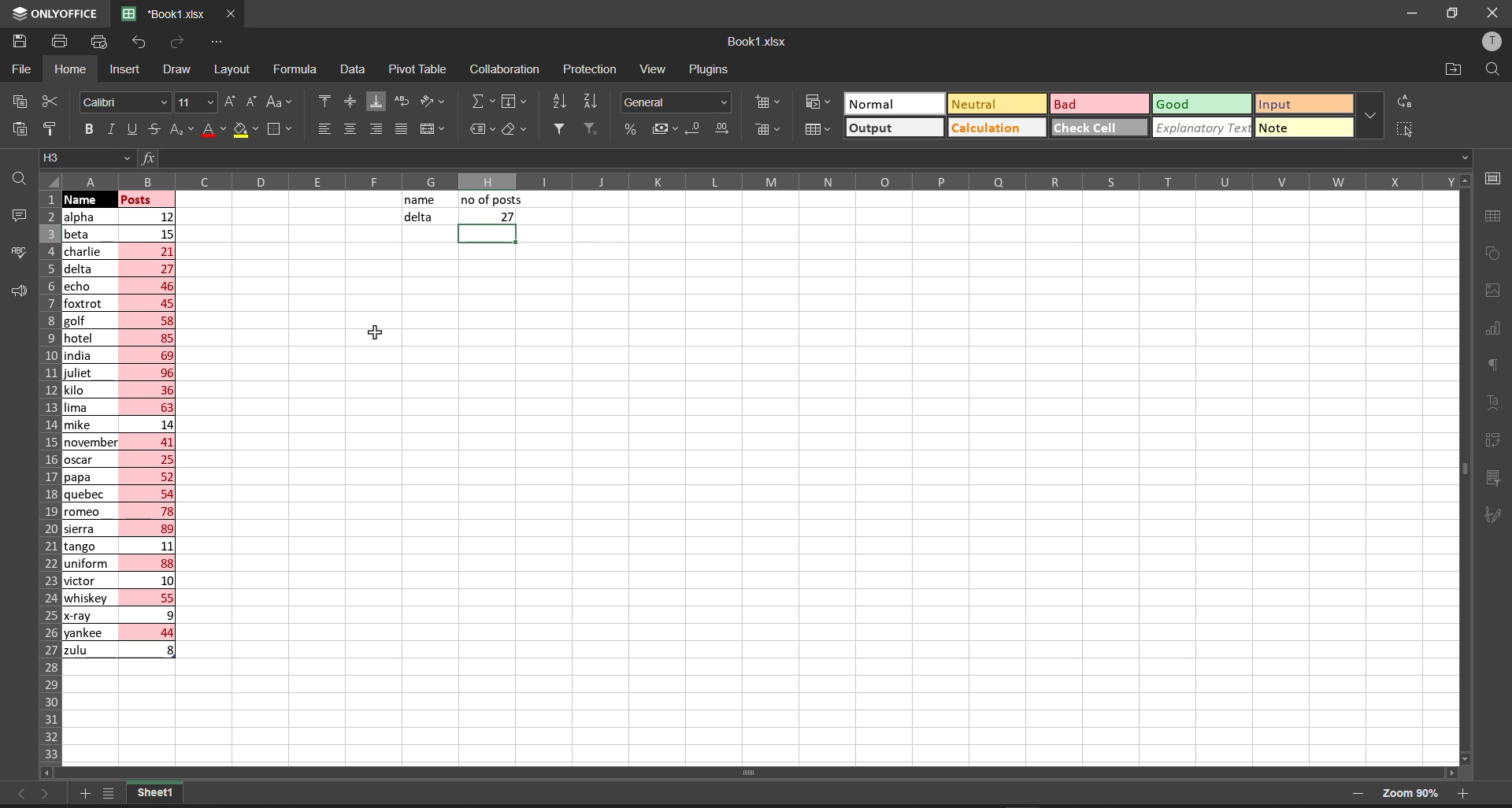 This screenshot has height=808, width=1512. What do you see at coordinates (1455, 14) in the screenshot?
I see `maximize` at bounding box center [1455, 14].